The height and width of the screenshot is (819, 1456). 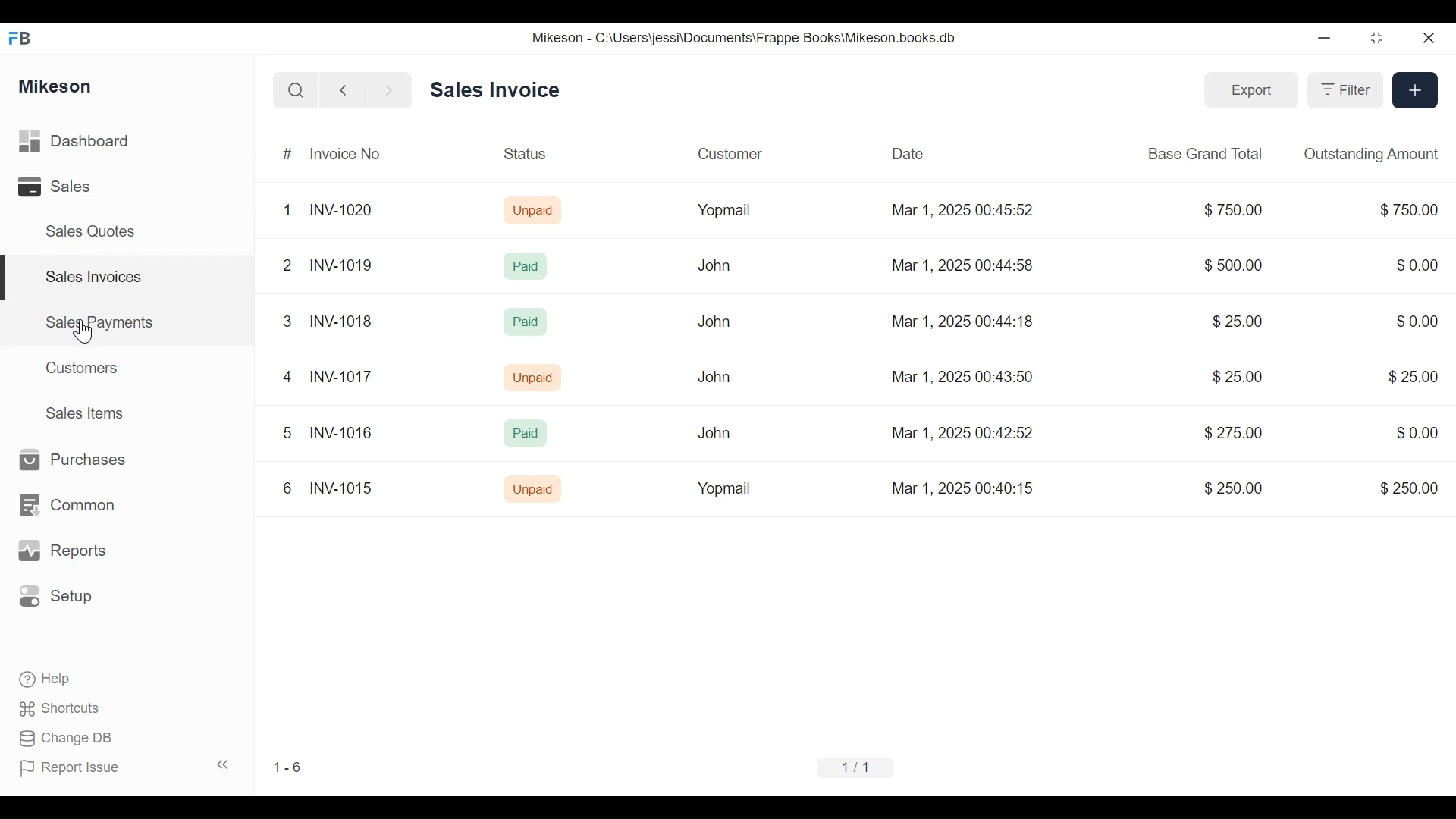 What do you see at coordinates (958, 375) in the screenshot?
I see `Mar 1, 2025 00:43:50` at bounding box center [958, 375].